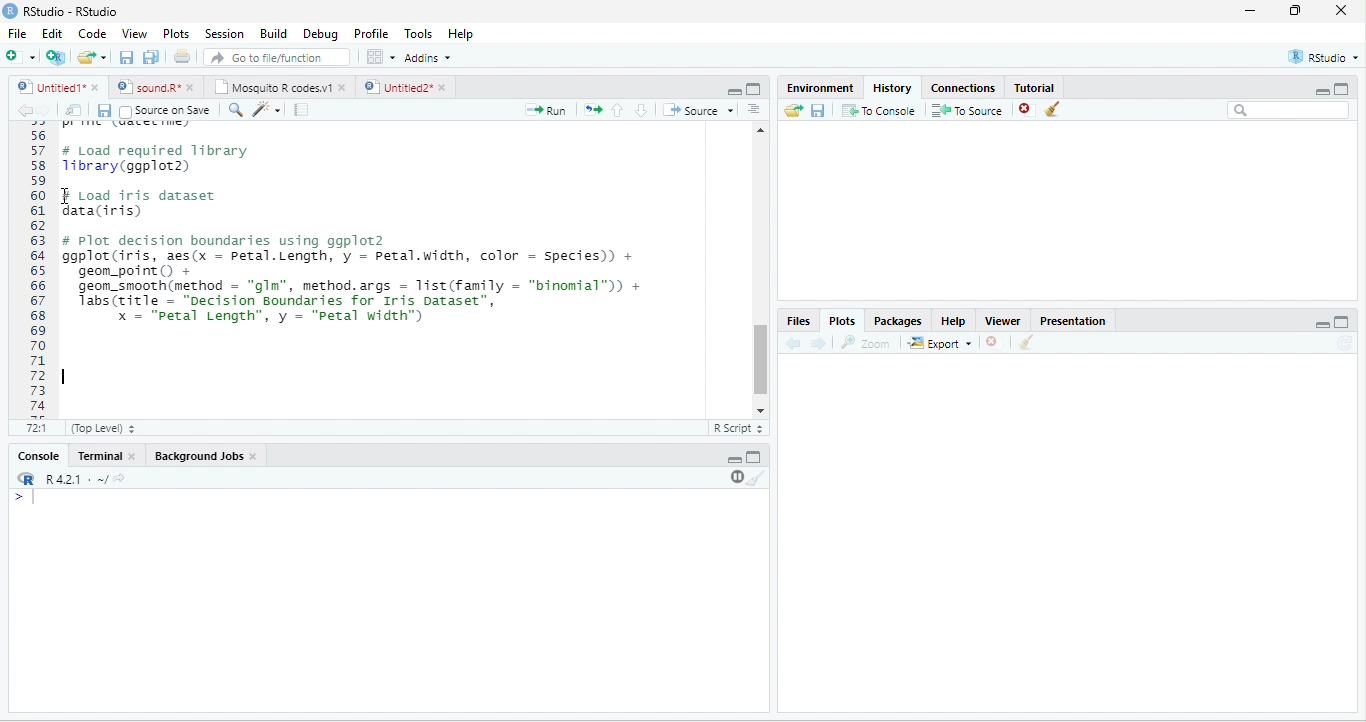 The image size is (1366, 722). I want to click on close file, so click(1027, 110).